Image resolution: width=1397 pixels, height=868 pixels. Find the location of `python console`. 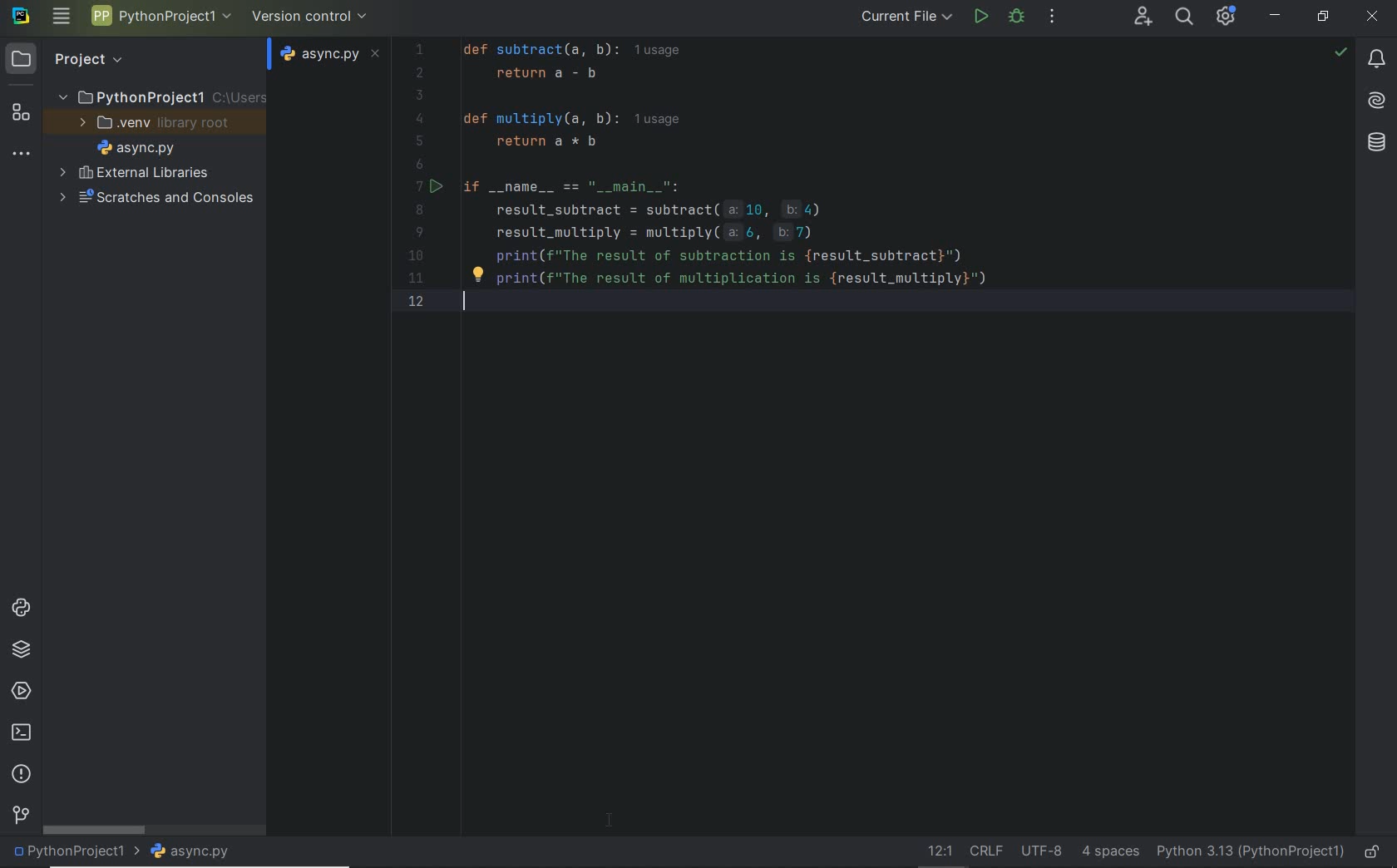

python console is located at coordinates (21, 609).